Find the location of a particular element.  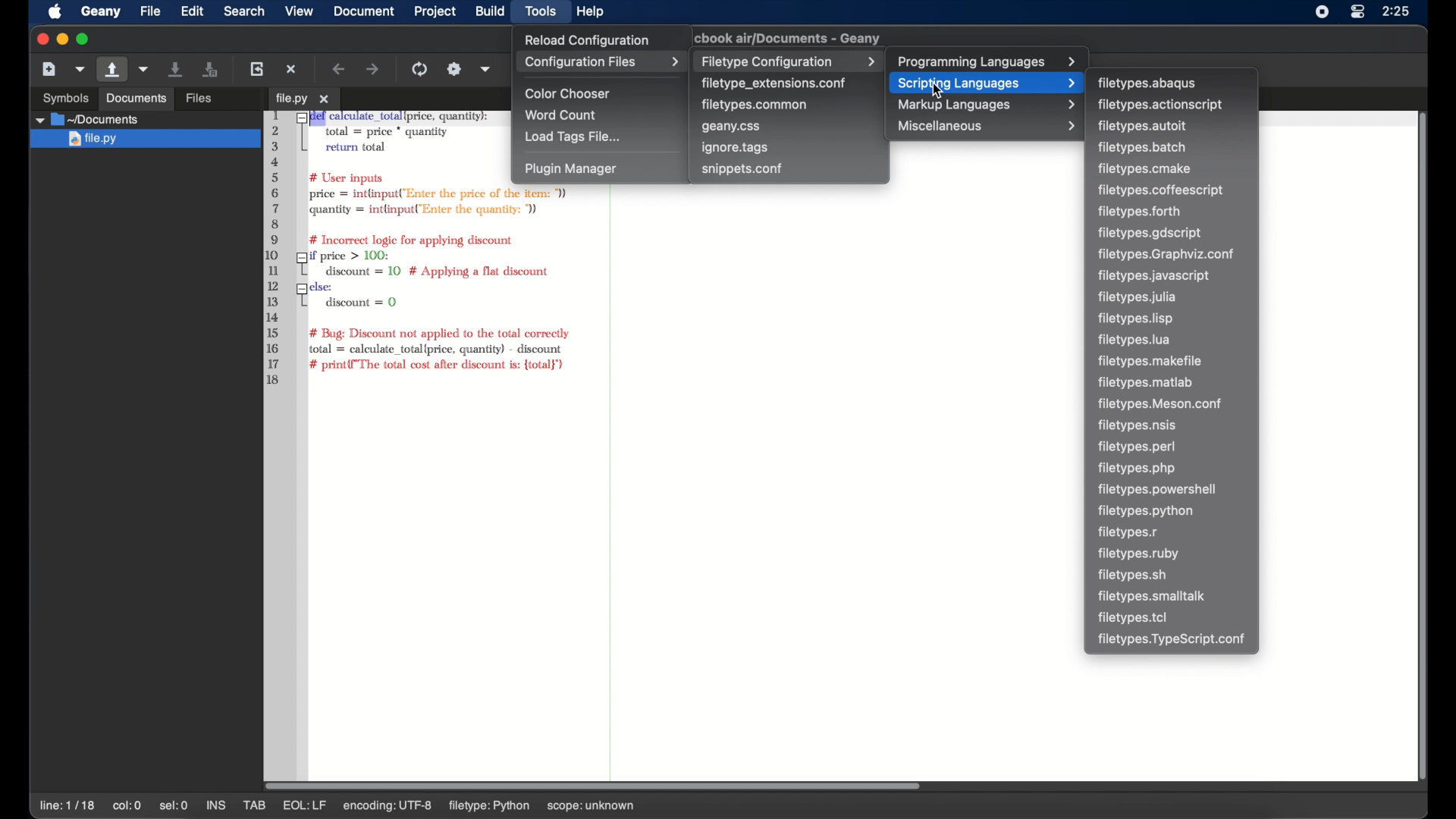

compile the current file is located at coordinates (422, 69).